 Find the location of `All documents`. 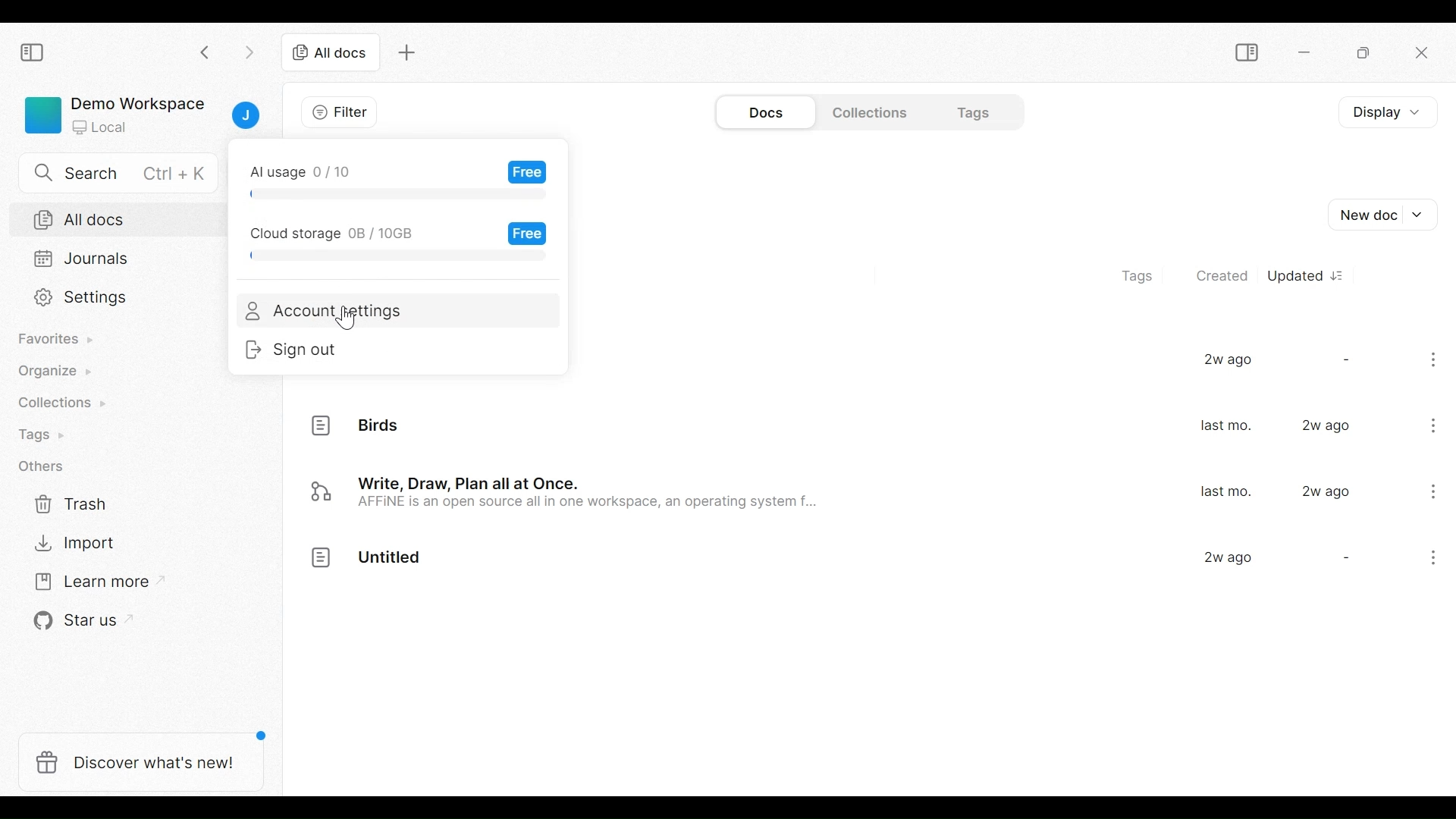

All documents is located at coordinates (331, 54).